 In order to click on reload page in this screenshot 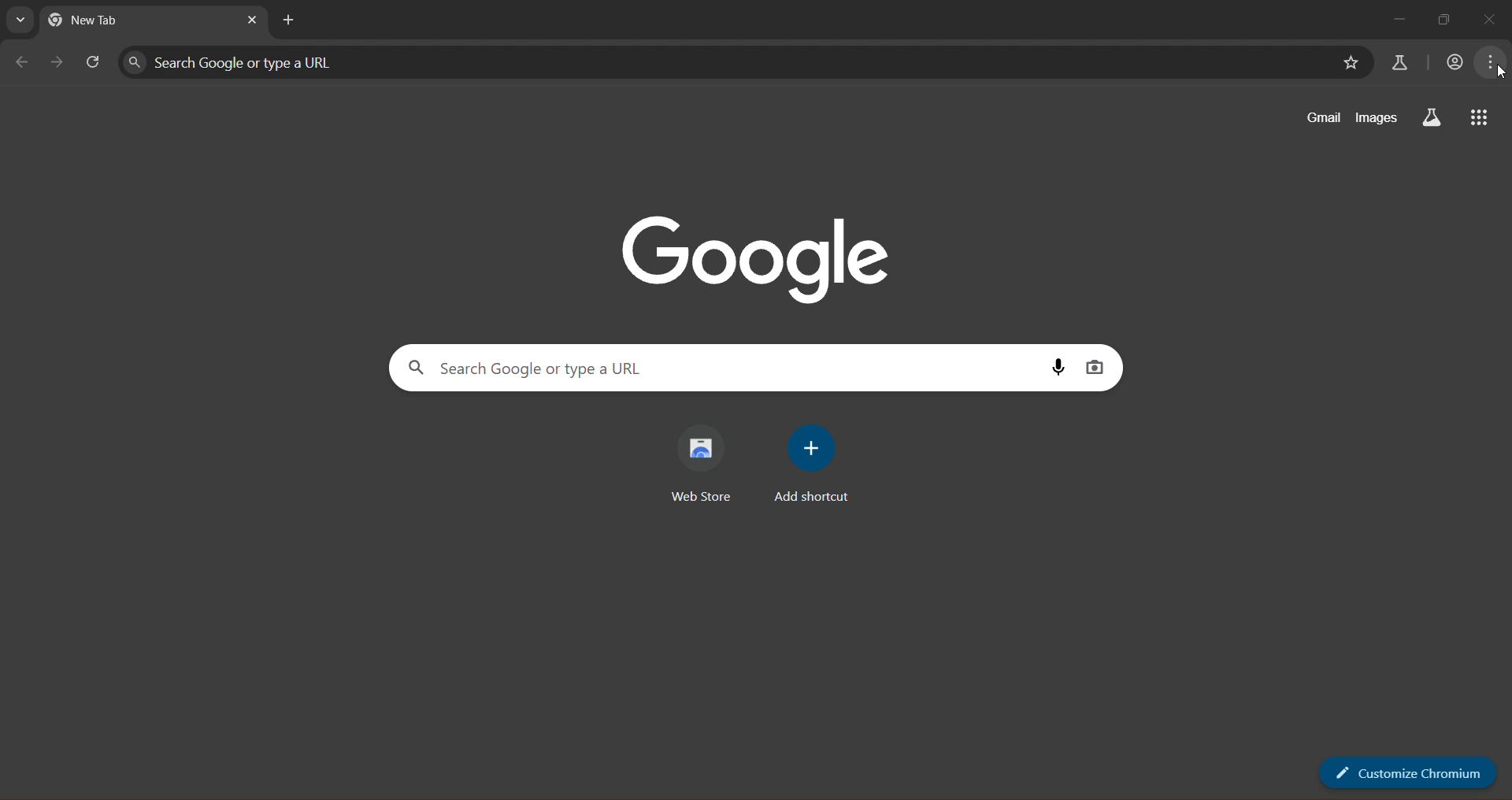, I will do `click(95, 63)`.